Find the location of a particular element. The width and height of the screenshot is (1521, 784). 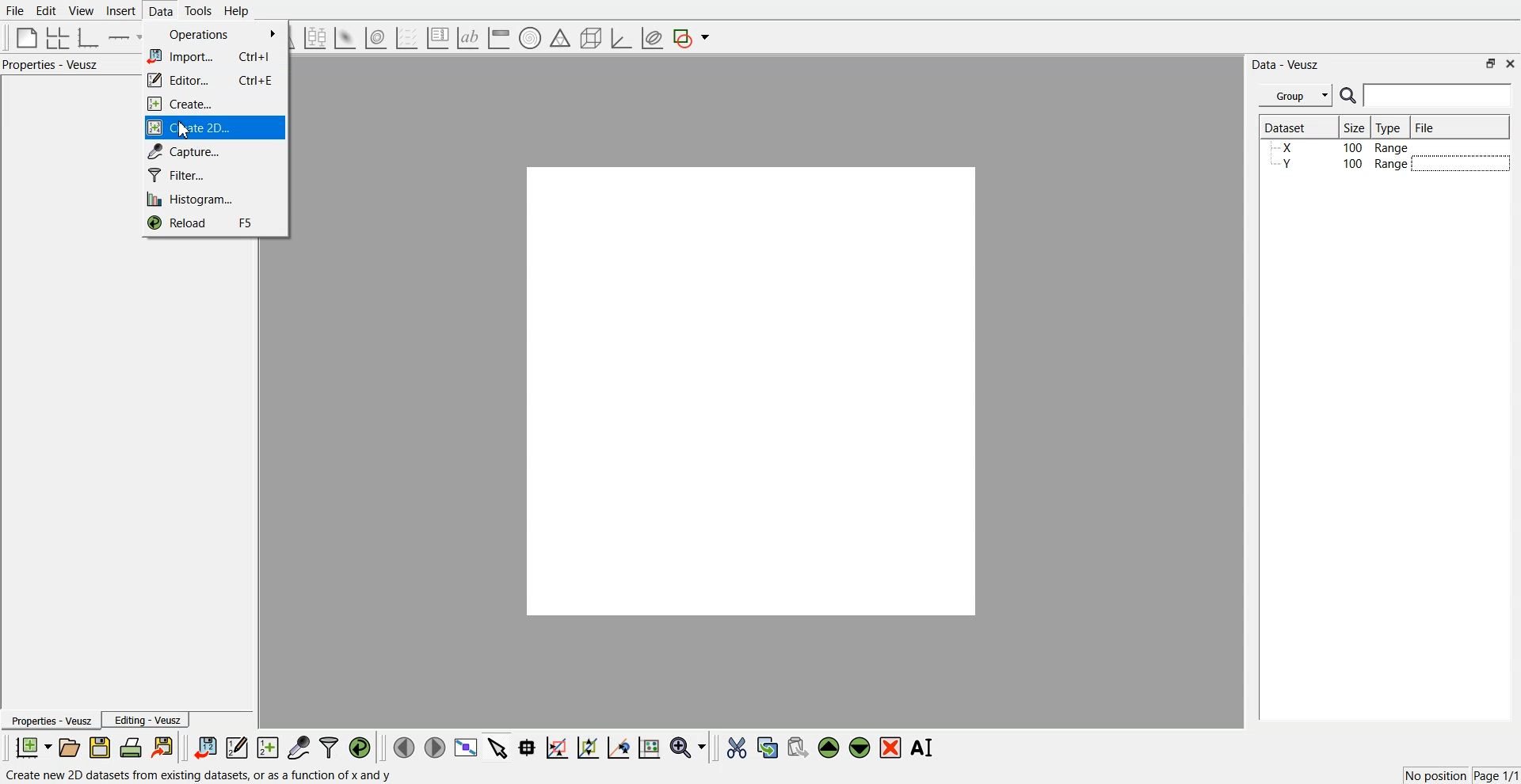

Zoom function menu is located at coordinates (690, 747).